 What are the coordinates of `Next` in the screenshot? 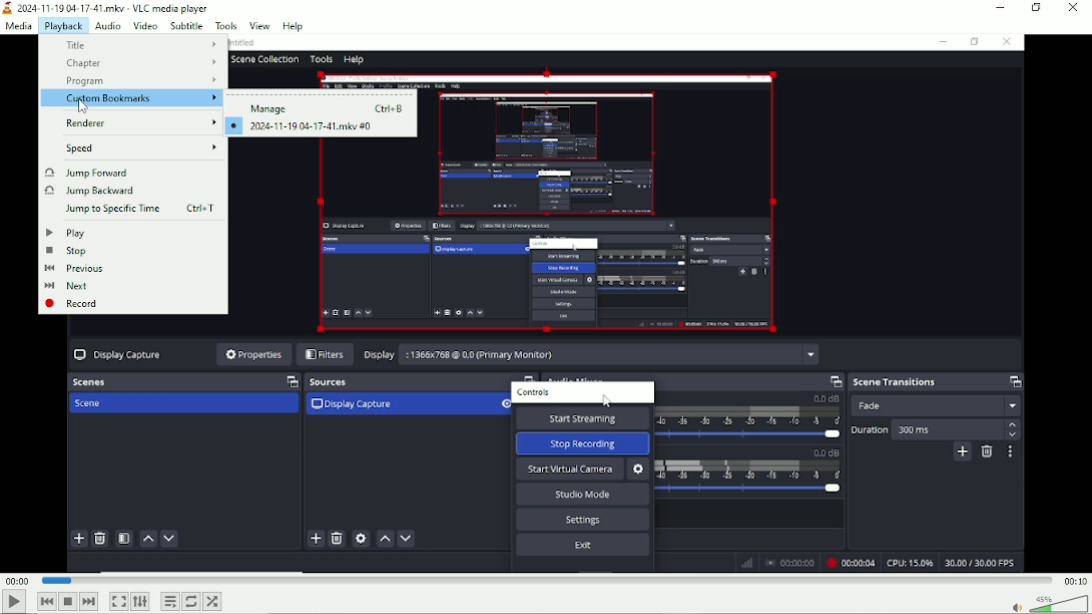 It's located at (89, 601).